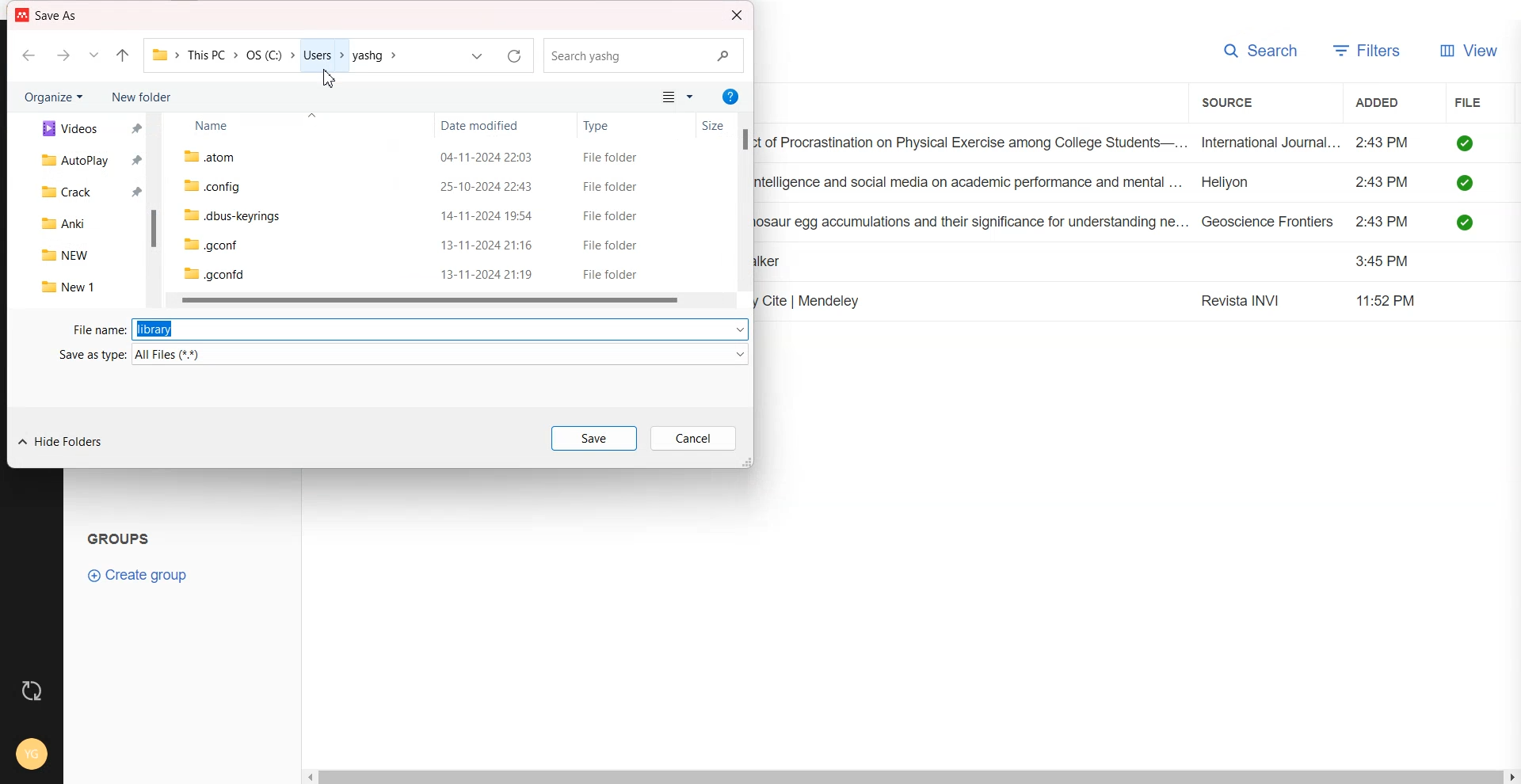  What do you see at coordinates (912, 776) in the screenshot?
I see `Horizontal scroll bar` at bounding box center [912, 776].